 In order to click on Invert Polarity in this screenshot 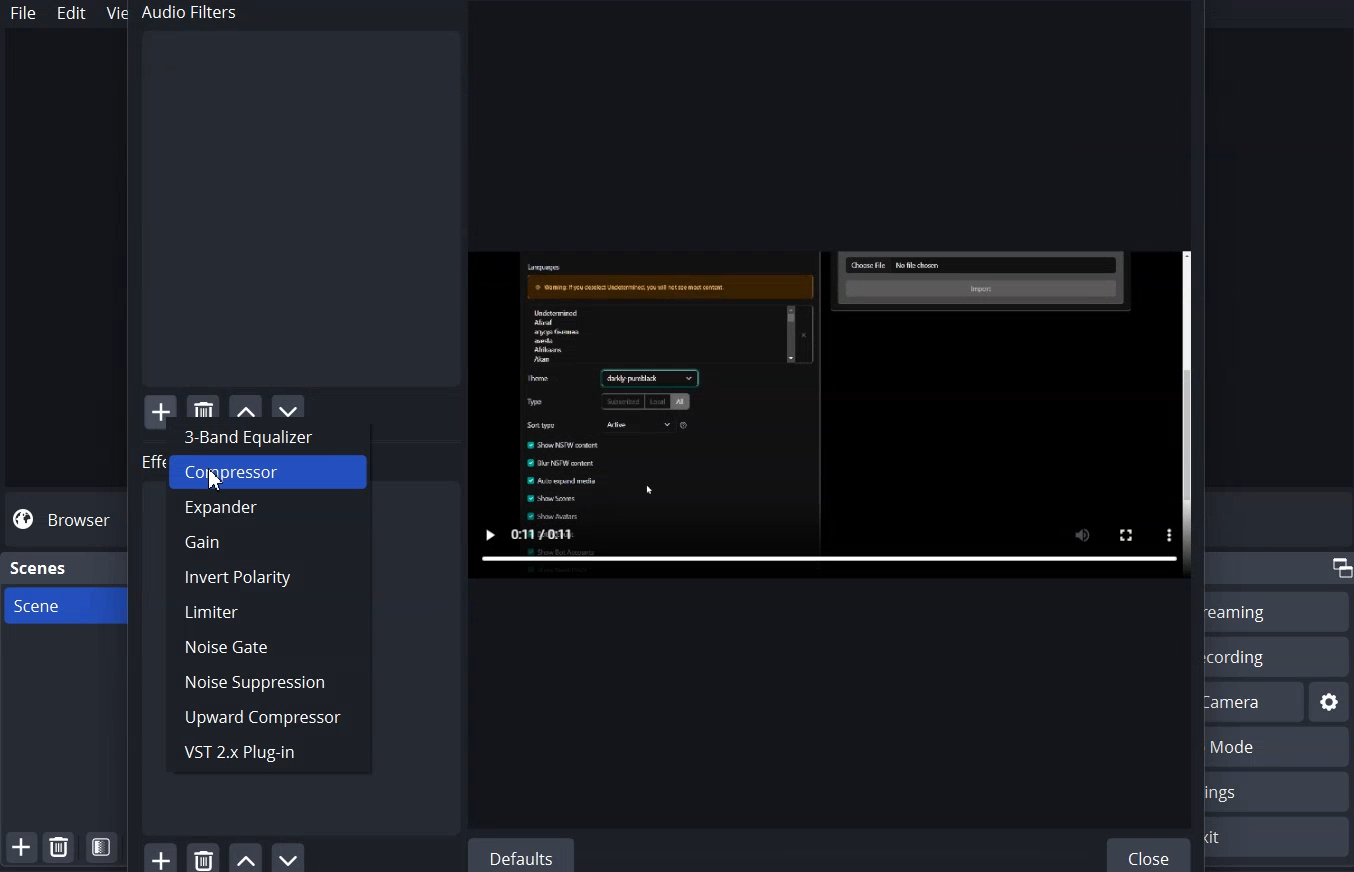, I will do `click(268, 576)`.